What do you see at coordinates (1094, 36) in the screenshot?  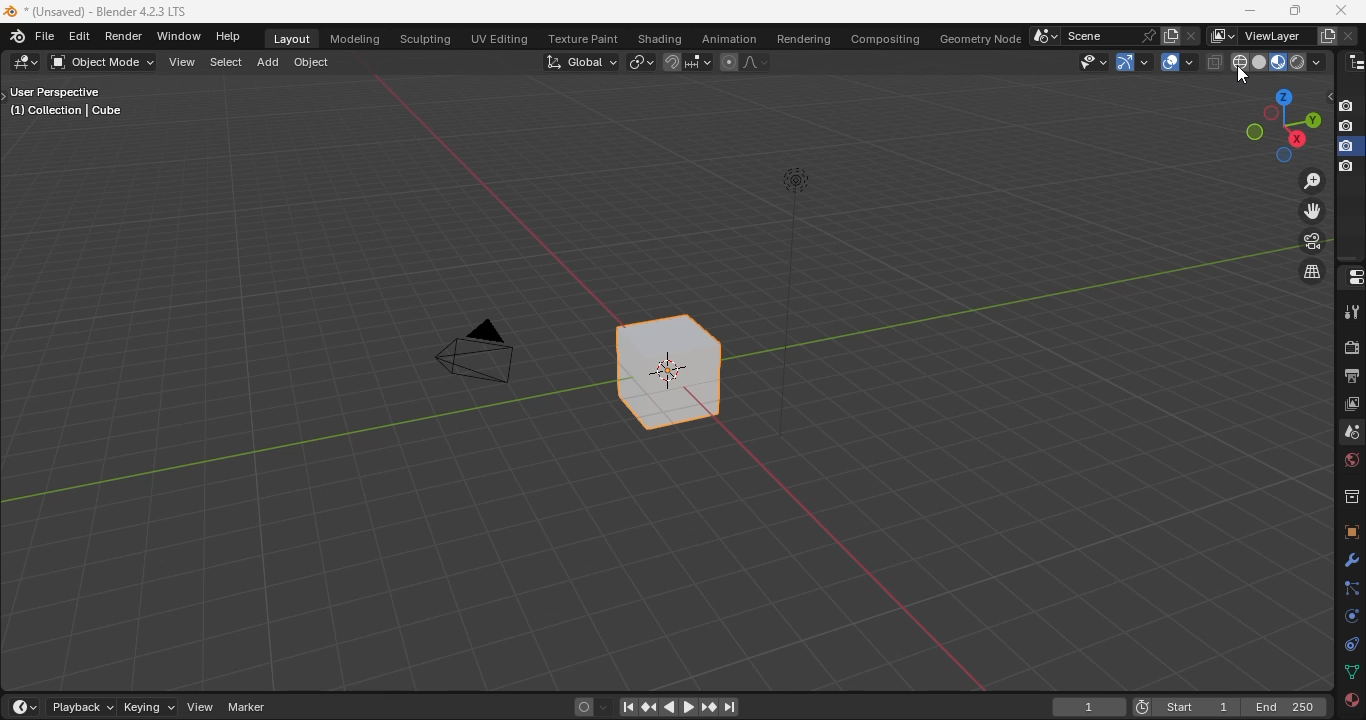 I see `scene` at bounding box center [1094, 36].